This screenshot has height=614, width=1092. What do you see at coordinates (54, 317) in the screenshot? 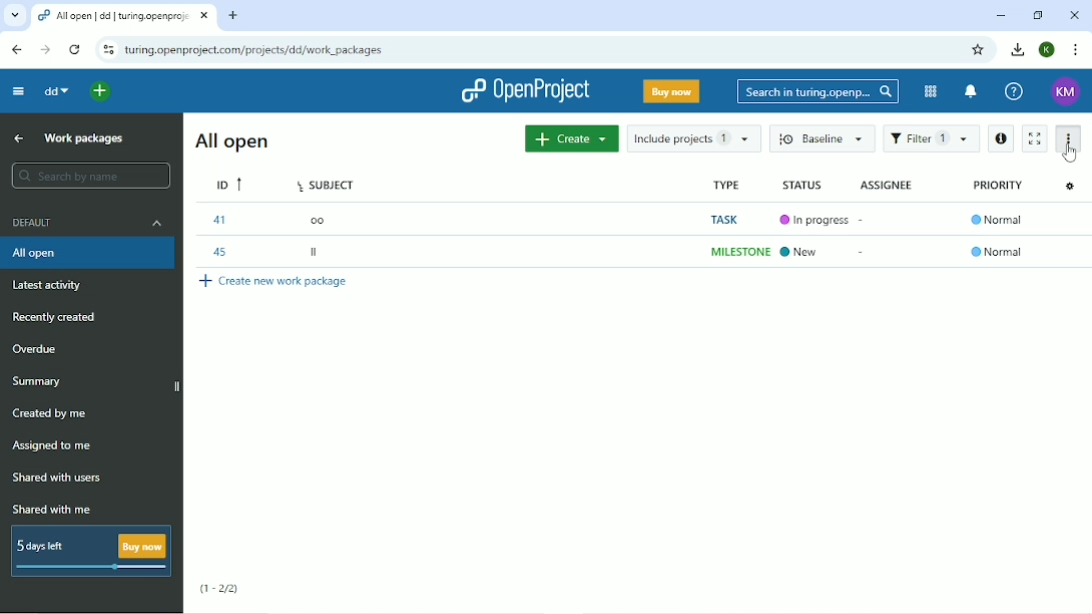
I see `Recently deleted` at bounding box center [54, 317].